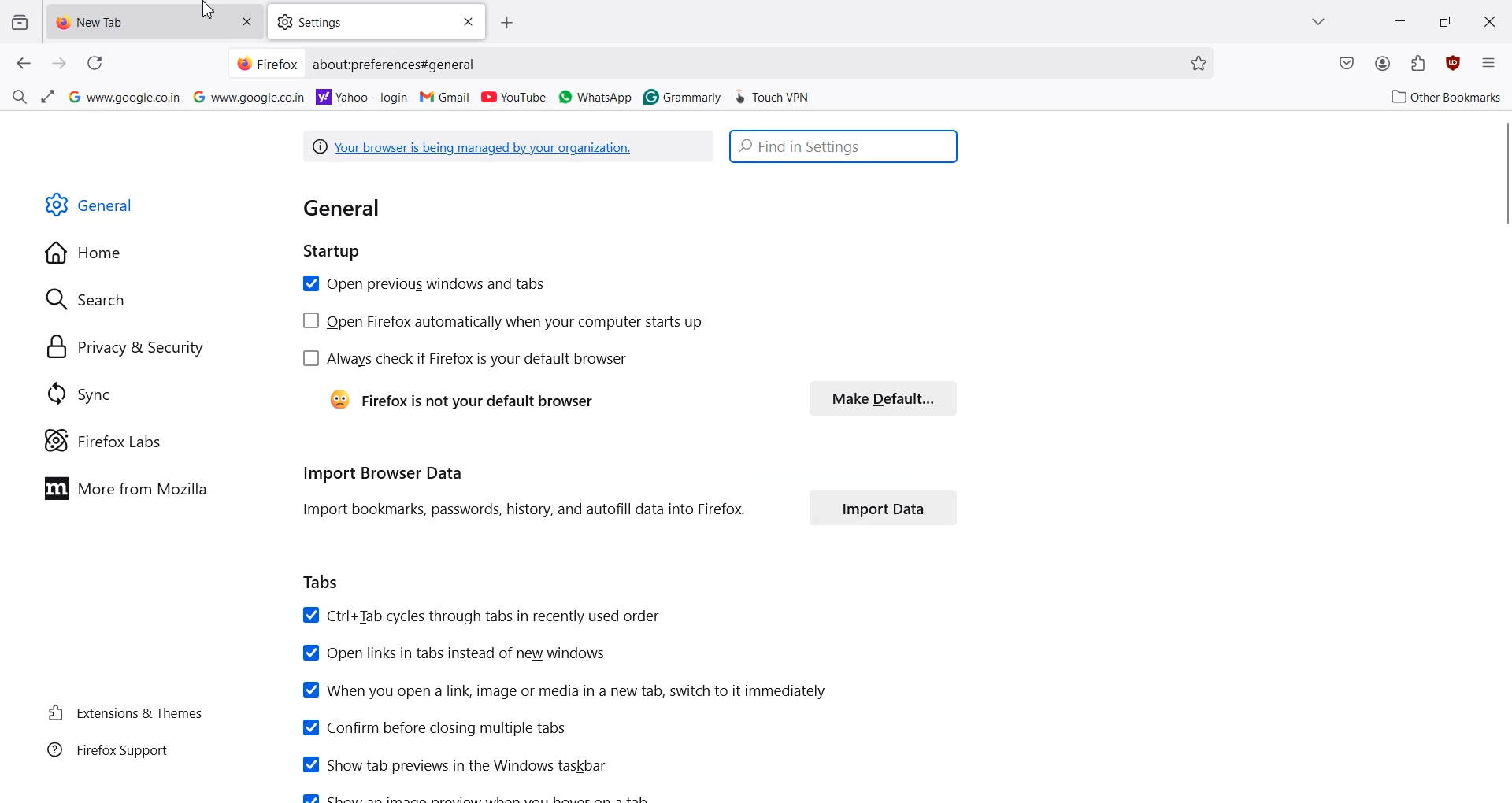  I want to click on Gmail Bookmark, so click(447, 97).